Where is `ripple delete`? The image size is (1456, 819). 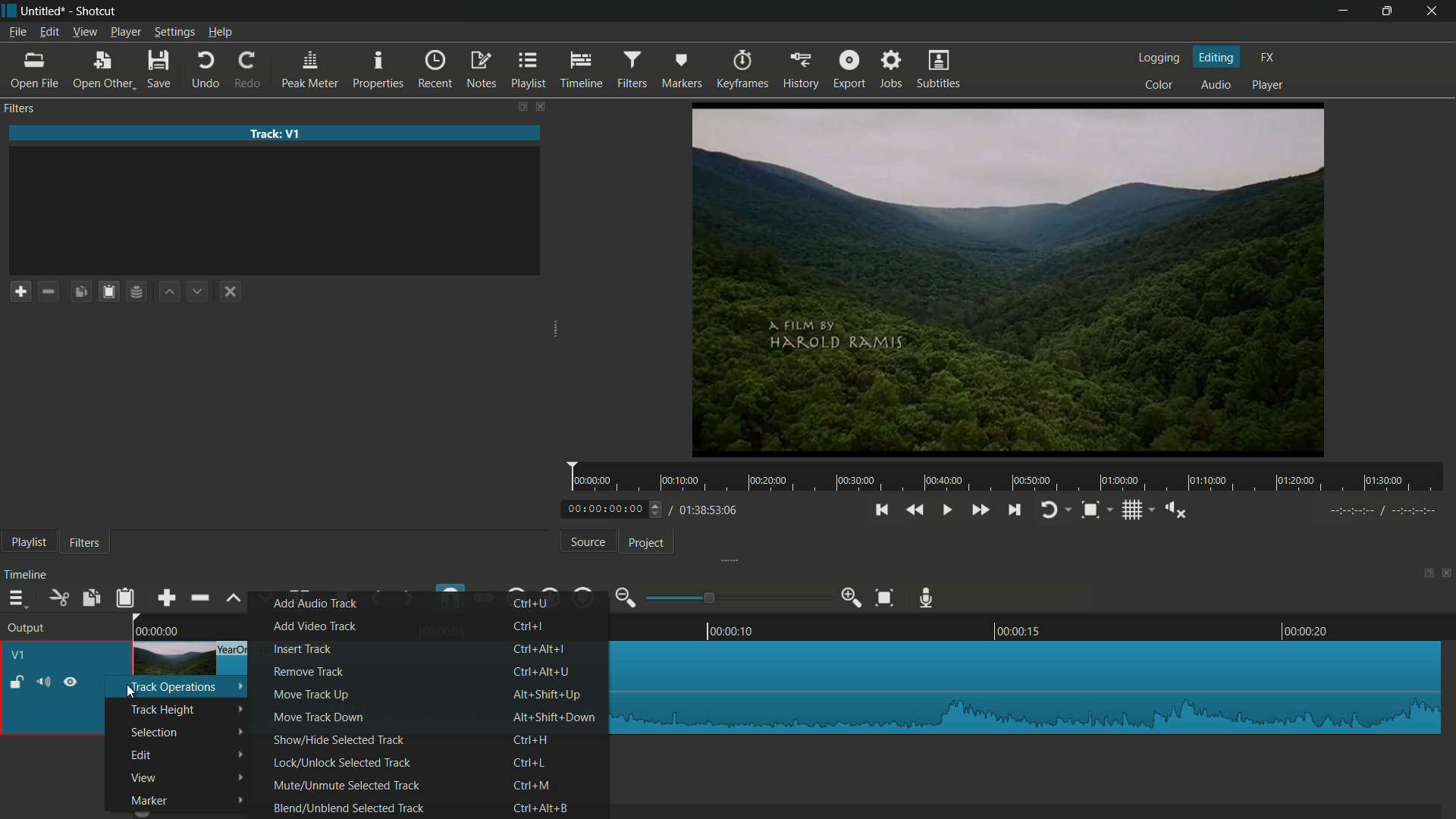 ripple delete is located at coordinates (197, 598).